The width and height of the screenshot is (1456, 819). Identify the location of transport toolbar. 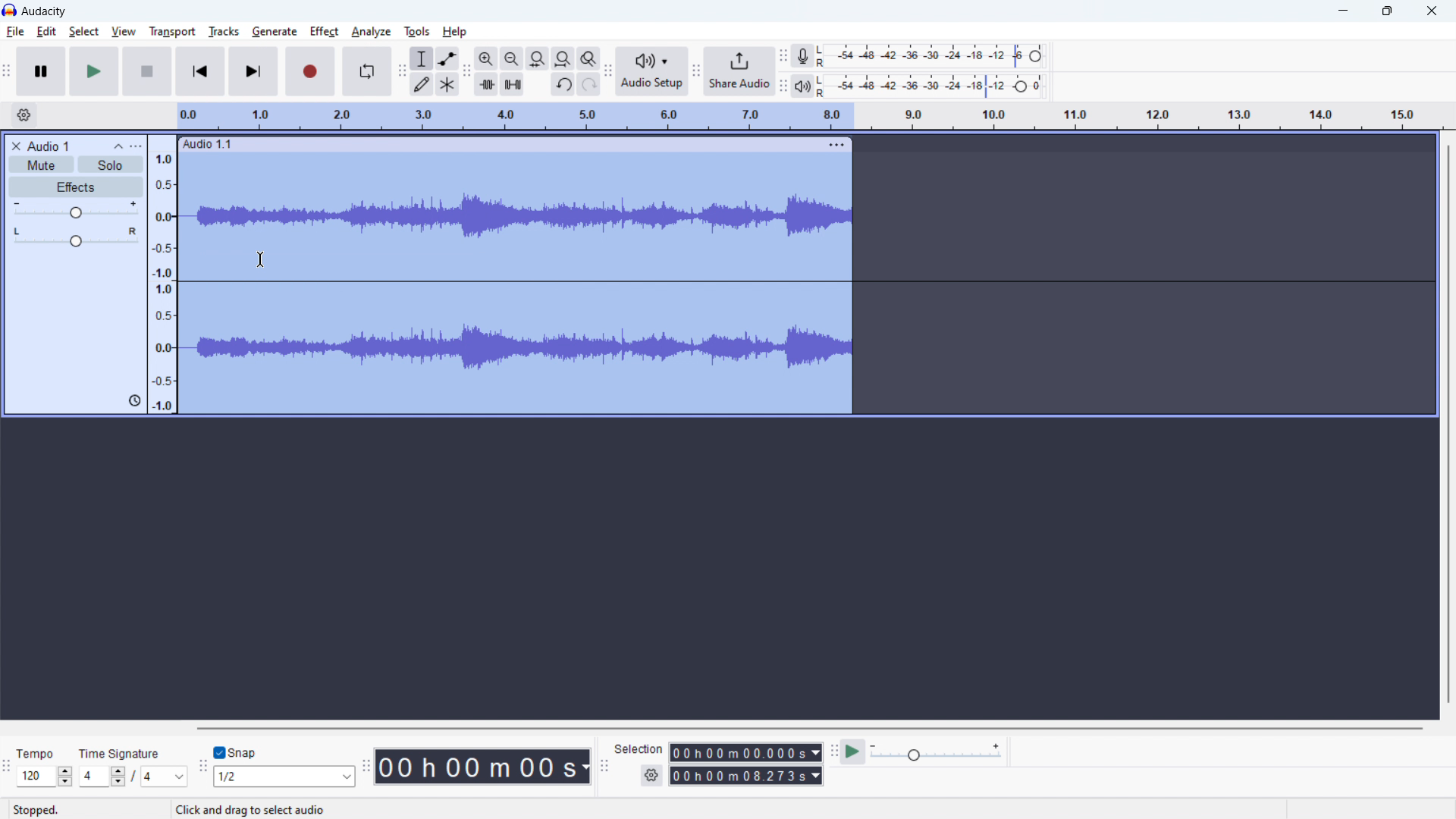
(7, 72).